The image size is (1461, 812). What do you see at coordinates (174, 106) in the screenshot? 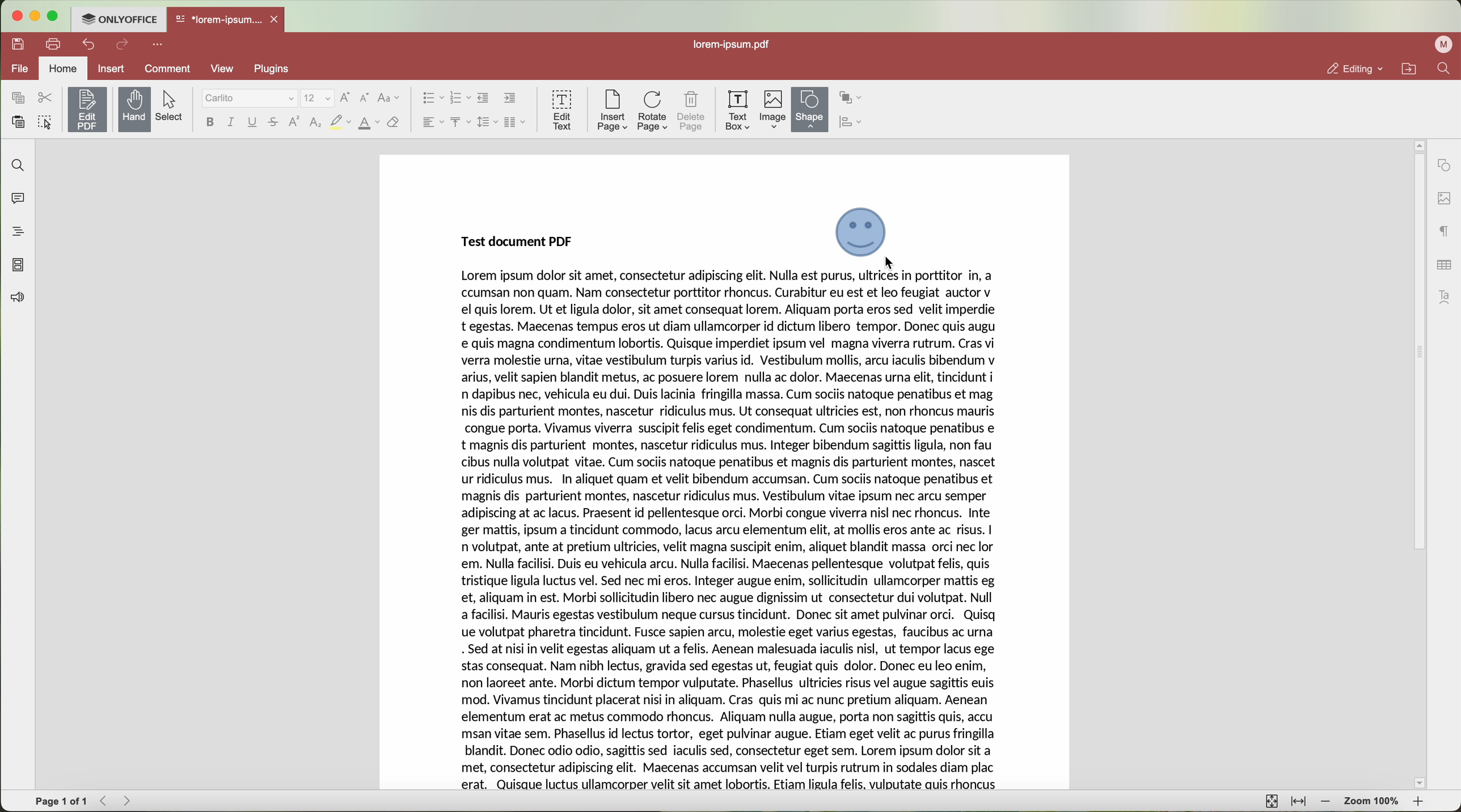
I see `select` at bounding box center [174, 106].